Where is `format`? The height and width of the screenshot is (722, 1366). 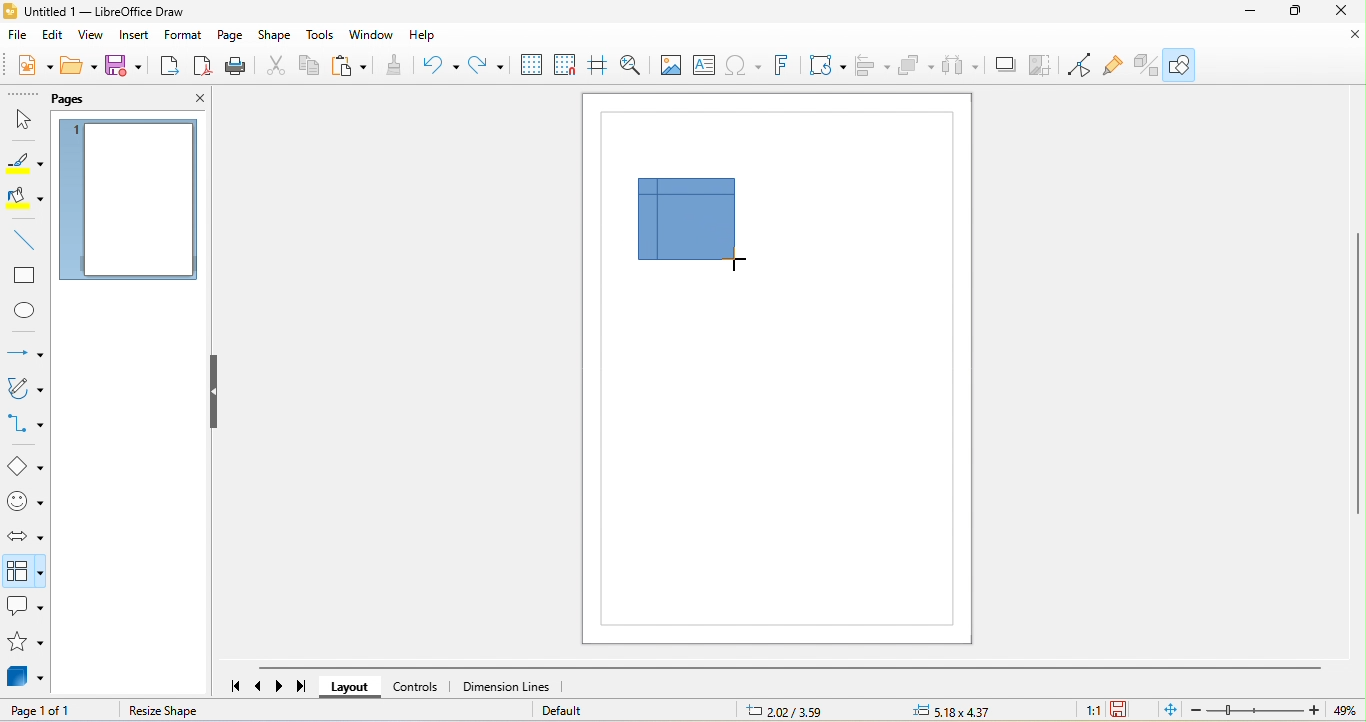 format is located at coordinates (186, 36).